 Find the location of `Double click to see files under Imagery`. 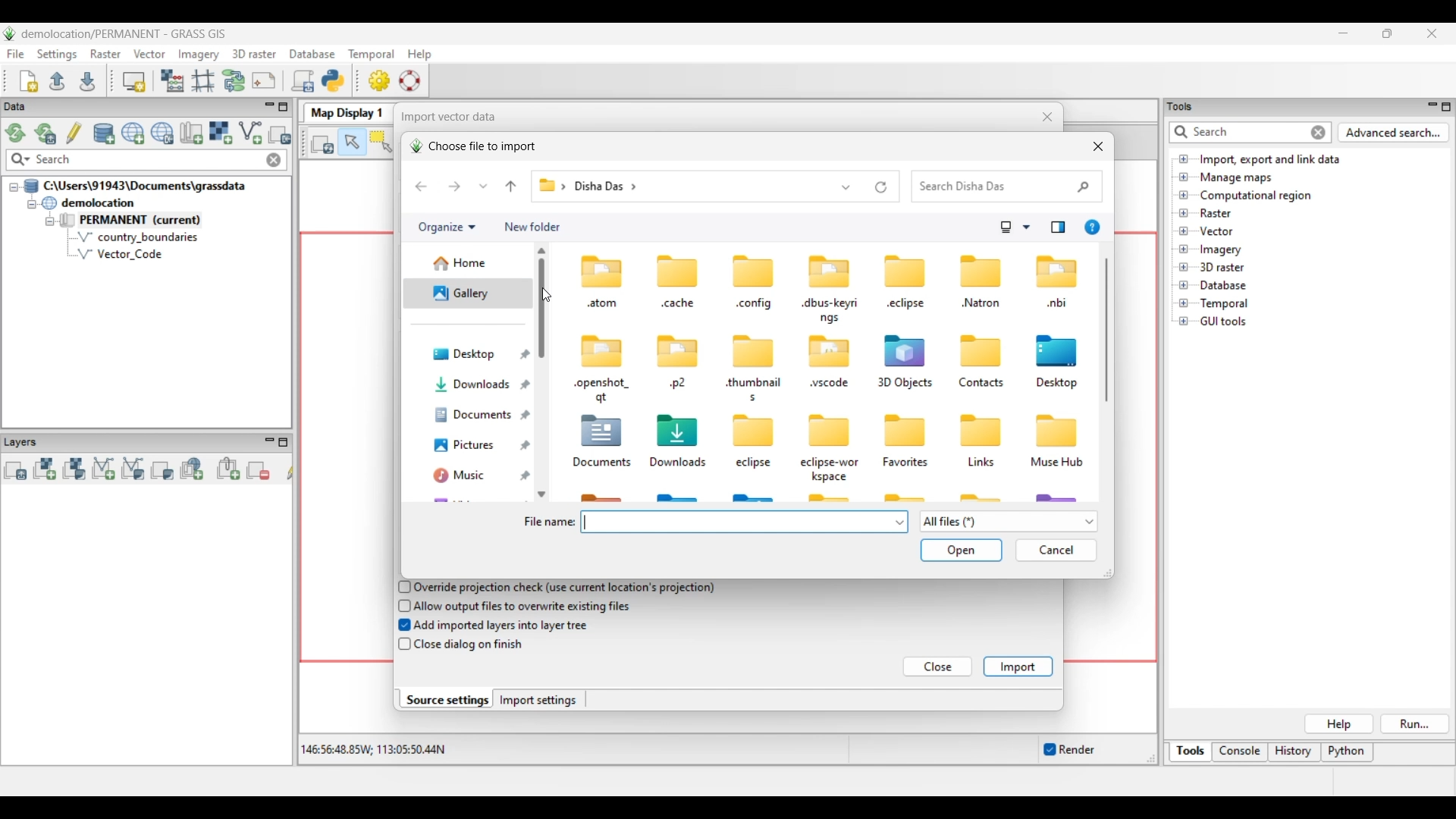

Double click to see files under Imagery is located at coordinates (1220, 250).